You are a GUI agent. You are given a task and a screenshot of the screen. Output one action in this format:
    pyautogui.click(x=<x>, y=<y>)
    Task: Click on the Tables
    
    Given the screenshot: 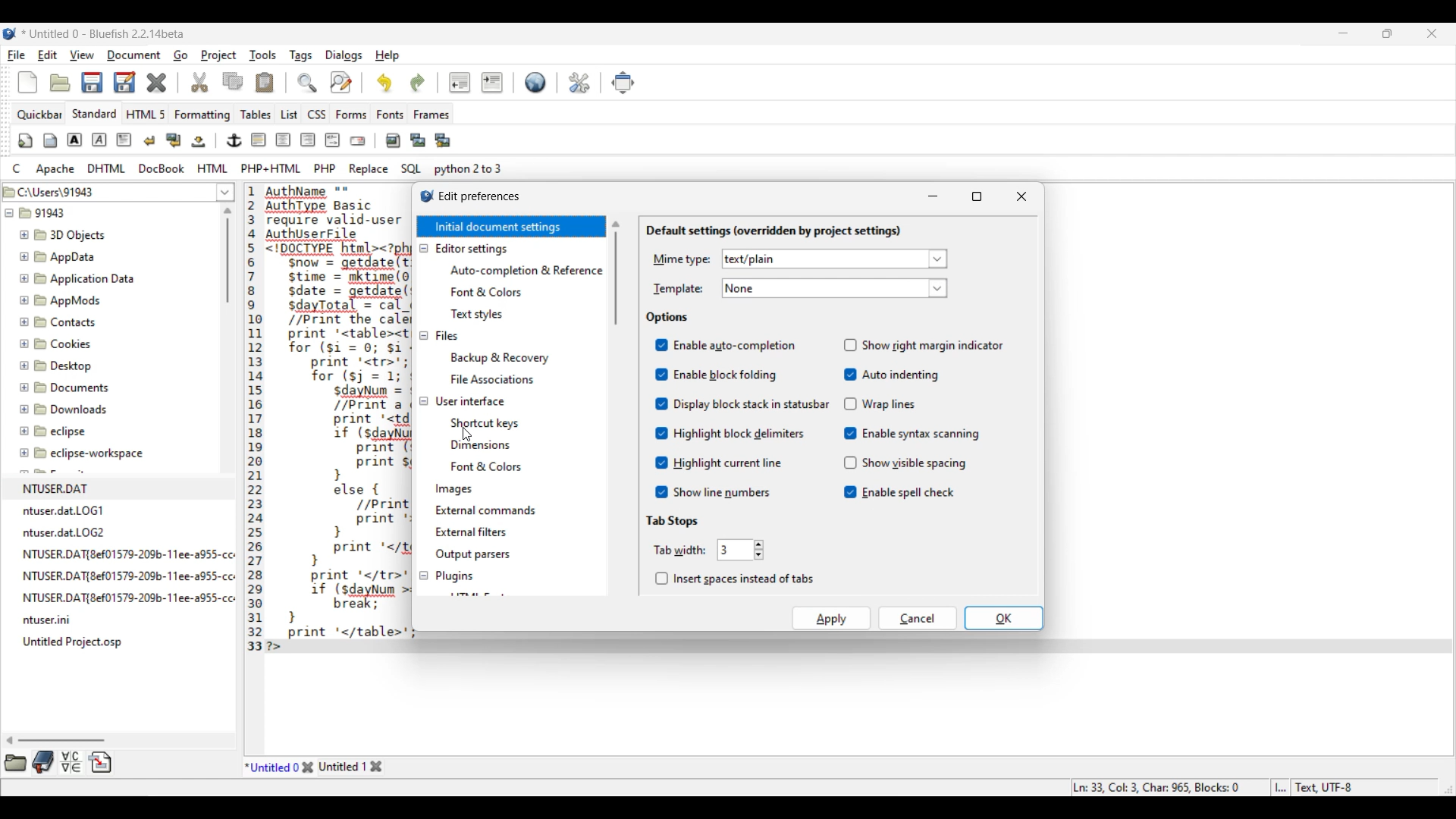 What is the action you would take?
    pyautogui.click(x=256, y=115)
    